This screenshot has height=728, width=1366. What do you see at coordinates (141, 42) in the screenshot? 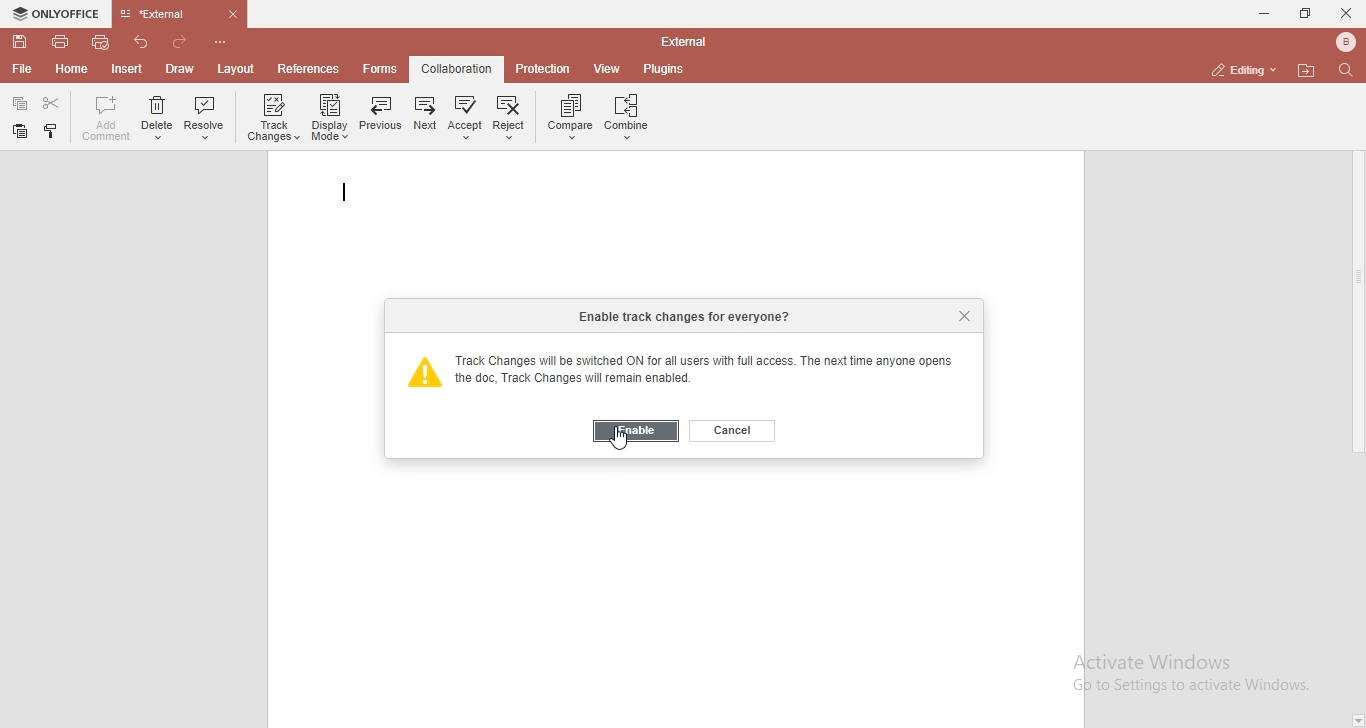
I see `undo` at bounding box center [141, 42].